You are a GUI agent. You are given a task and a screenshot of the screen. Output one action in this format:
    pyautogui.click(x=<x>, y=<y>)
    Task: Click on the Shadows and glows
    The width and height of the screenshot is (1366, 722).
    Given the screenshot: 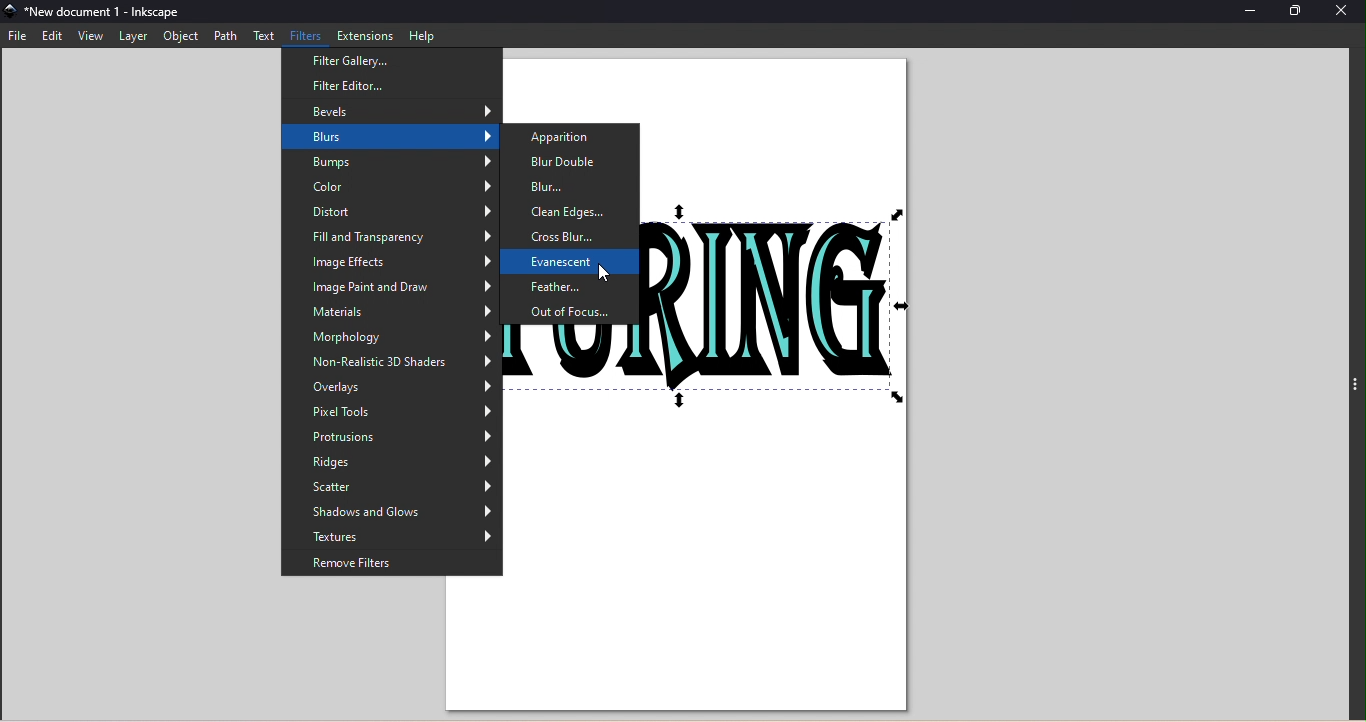 What is the action you would take?
    pyautogui.click(x=391, y=513)
    